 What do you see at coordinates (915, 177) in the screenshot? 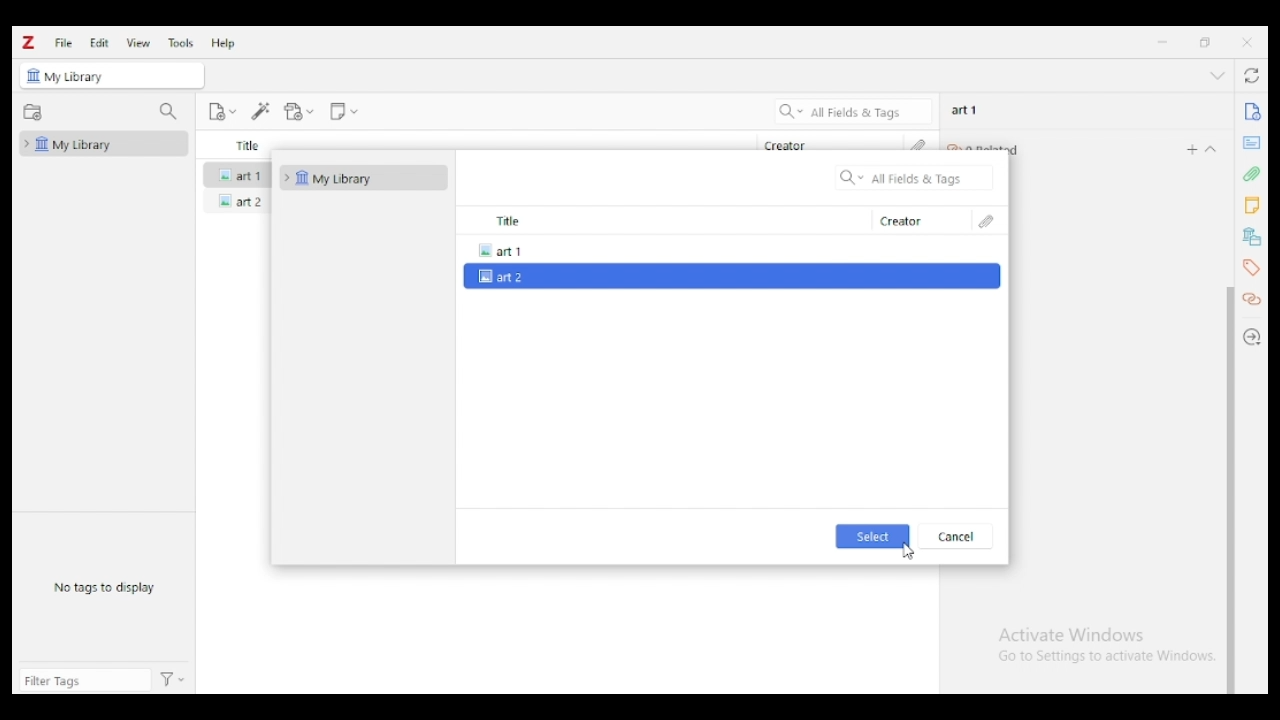
I see `search all fields and tags` at bounding box center [915, 177].